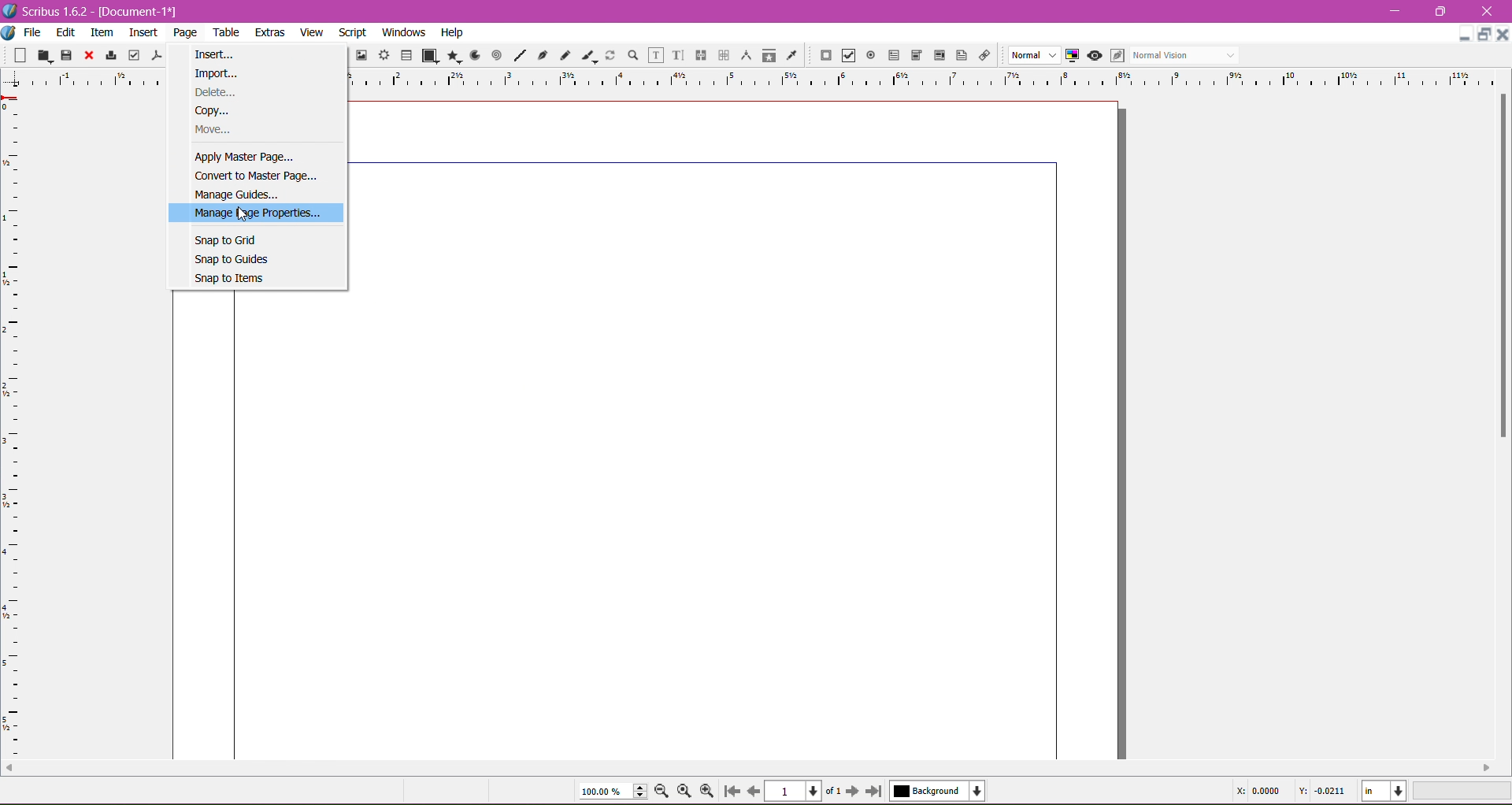  Describe the element at coordinates (9, 31) in the screenshot. I see `Document Options` at that location.